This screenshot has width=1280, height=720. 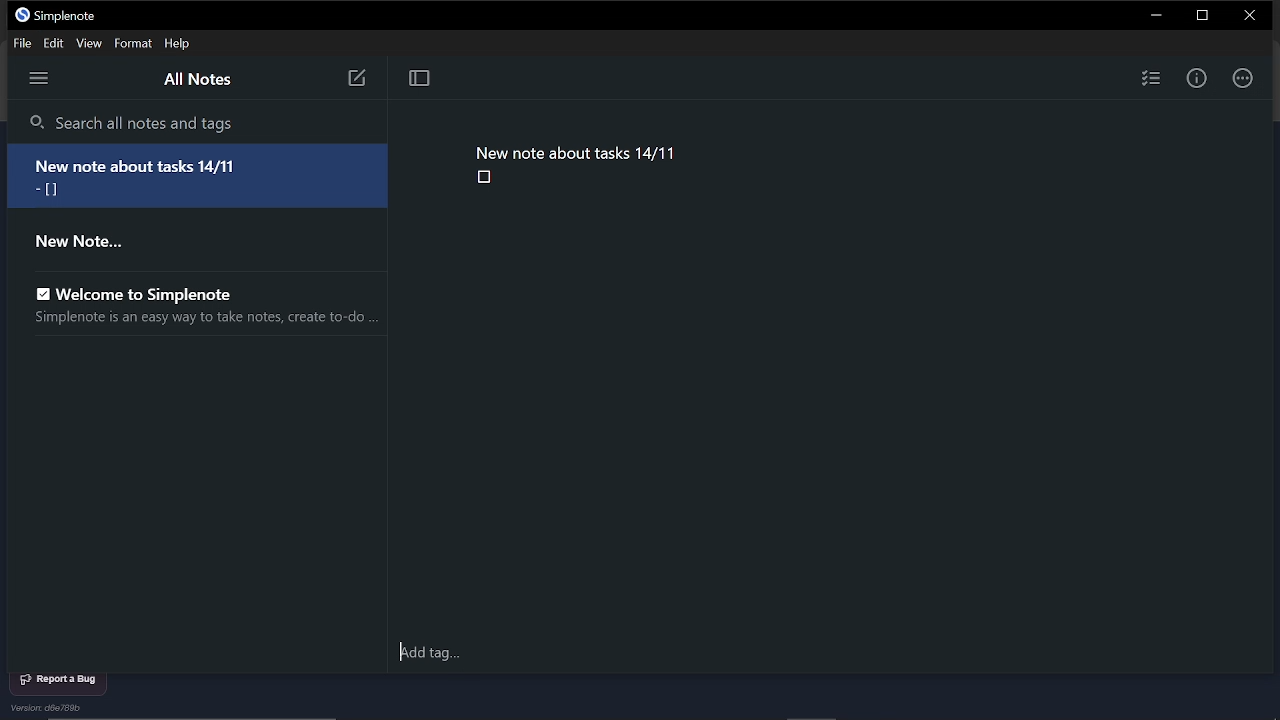 I want to click on Version d6e788b, so click(x=51, y=708).